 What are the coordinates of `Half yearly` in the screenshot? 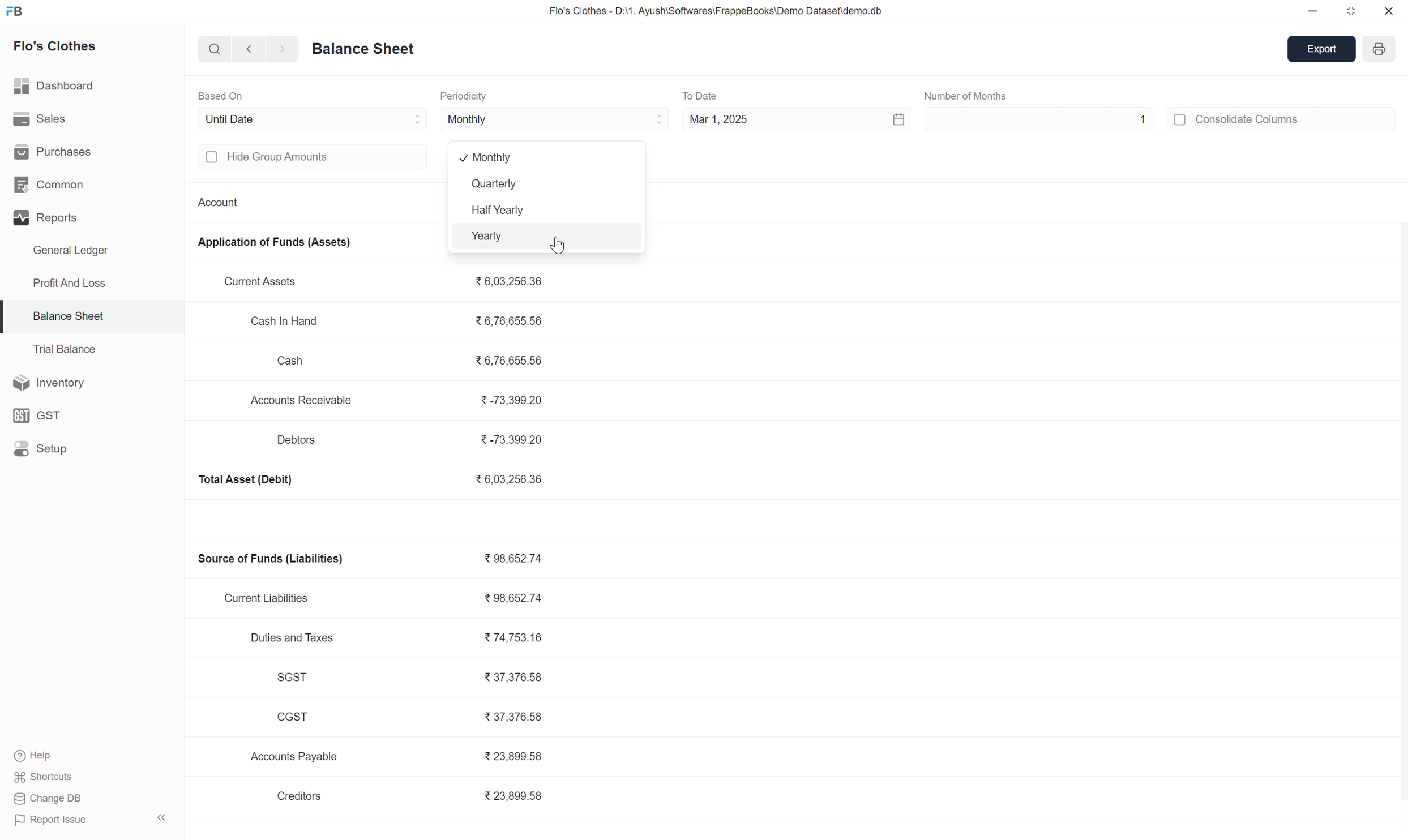 It's located at (501, 209).